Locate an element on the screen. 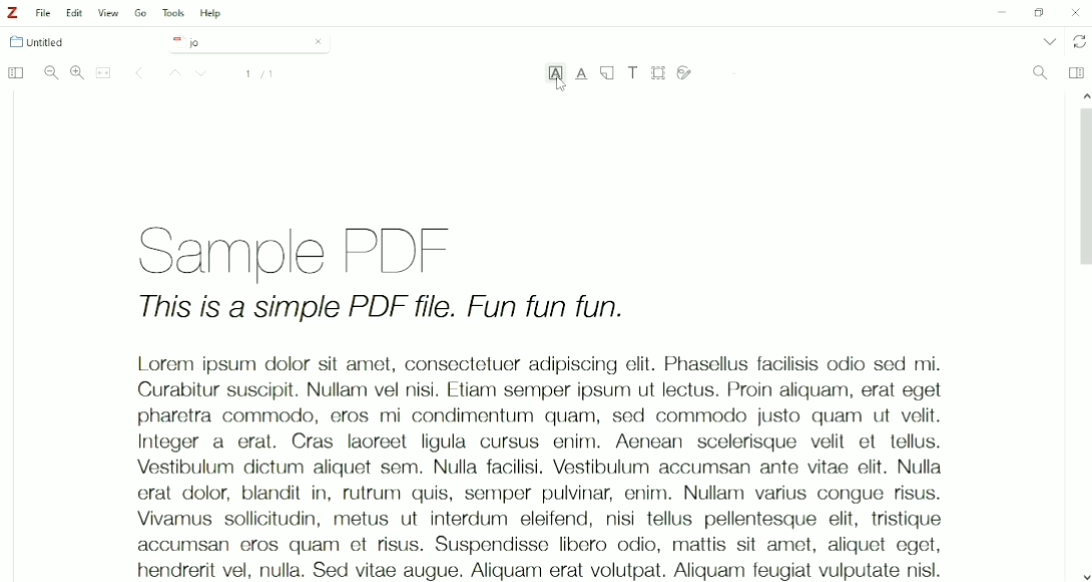 The height and width of the screenshot is (582, 1092). Down is located at coordinates (204, 75).